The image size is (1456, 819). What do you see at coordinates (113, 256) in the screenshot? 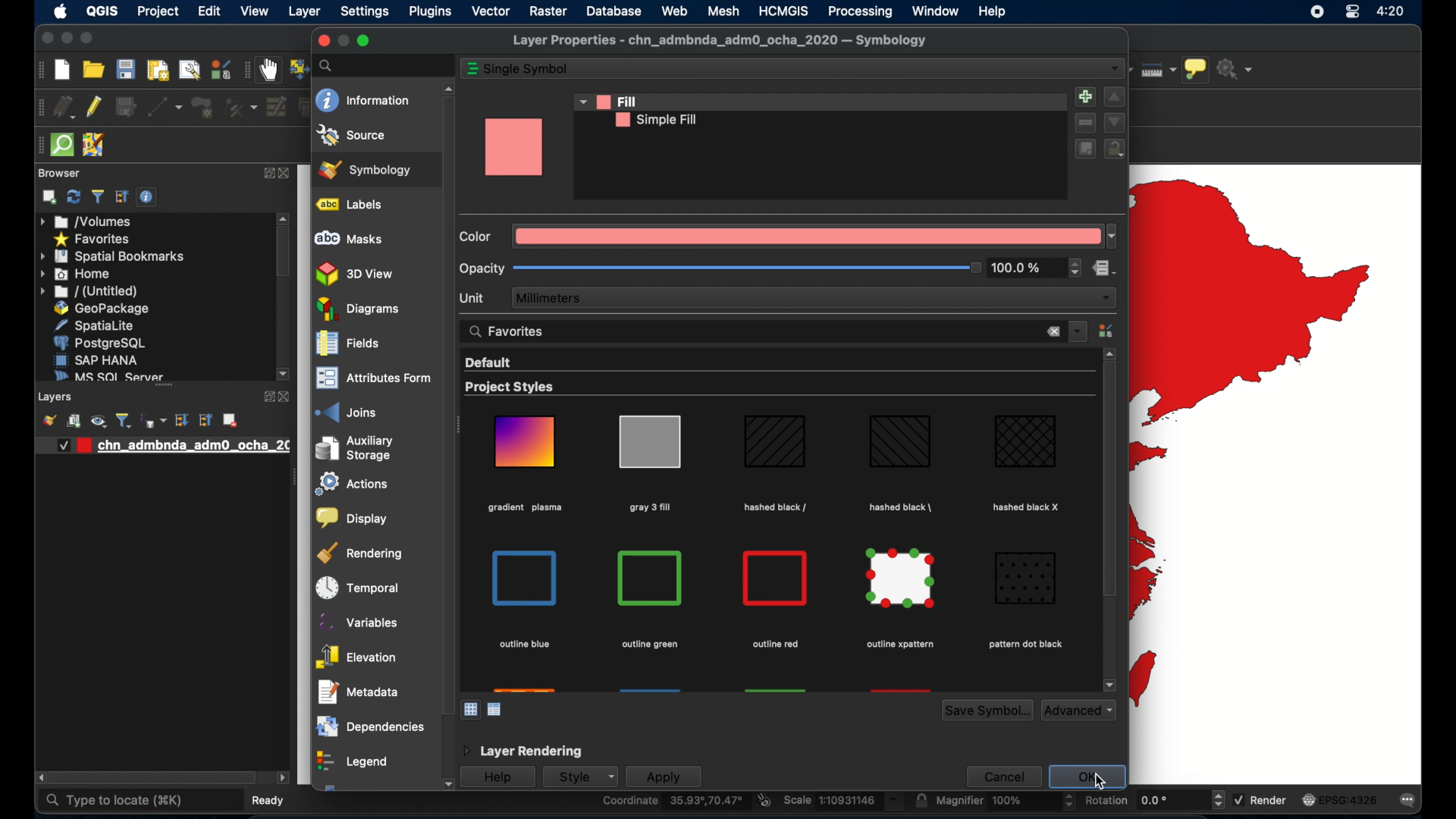
I see `spatial bookmarks` at bounding box center [113, 256].